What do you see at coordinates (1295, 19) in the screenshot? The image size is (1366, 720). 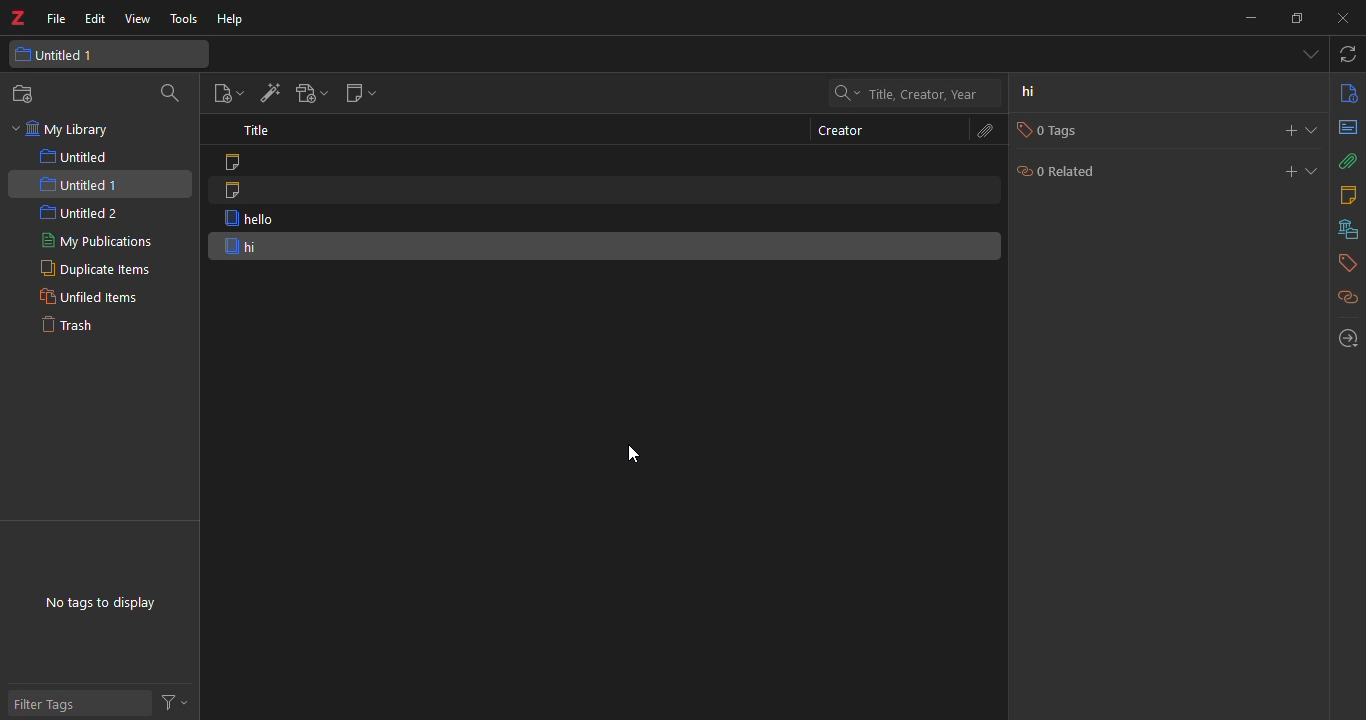 I see `maximize` at bounding box center [1295, 19].